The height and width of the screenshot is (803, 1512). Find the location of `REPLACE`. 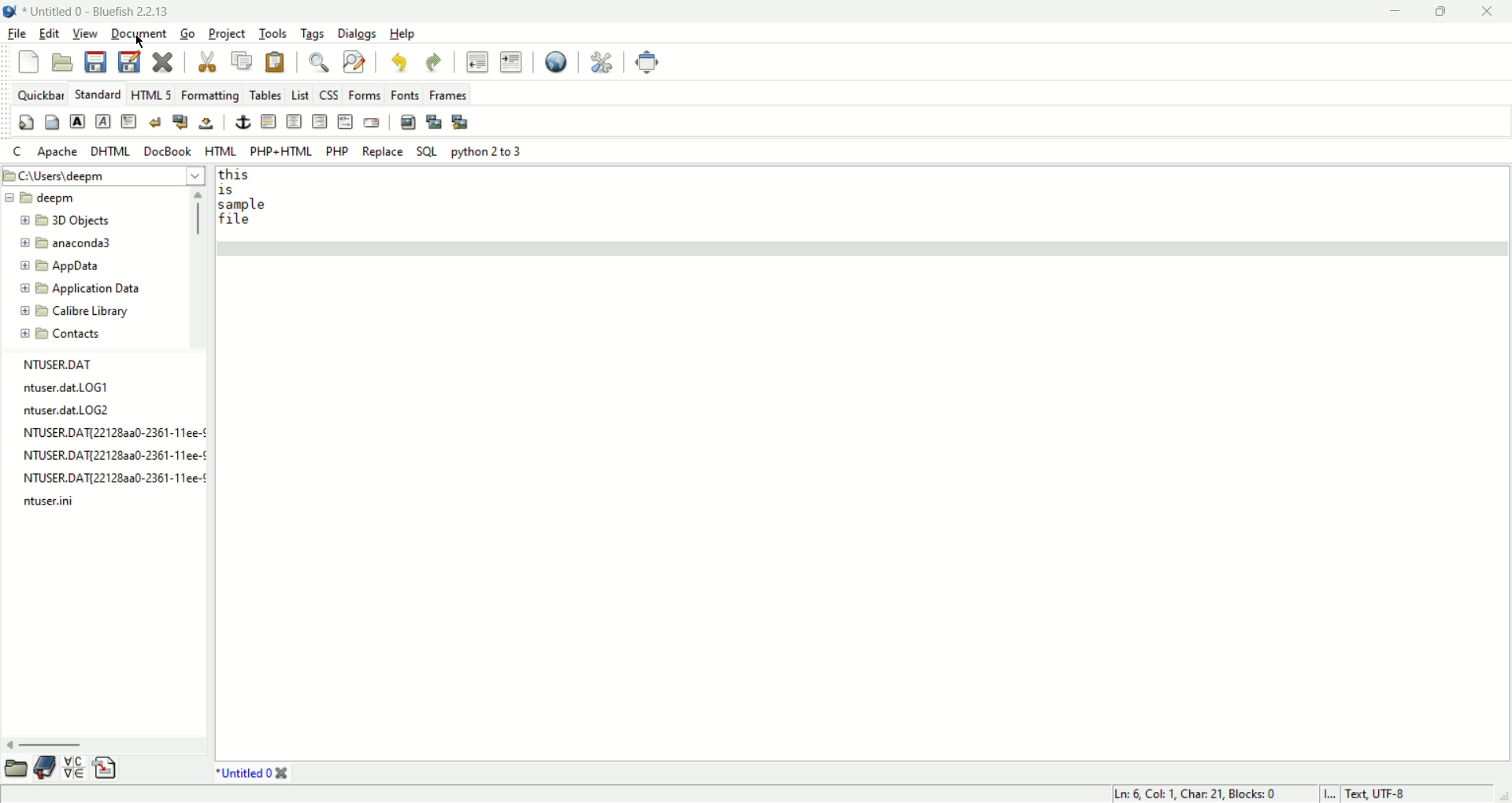

REPLACE is located at coordinates (383, 151).